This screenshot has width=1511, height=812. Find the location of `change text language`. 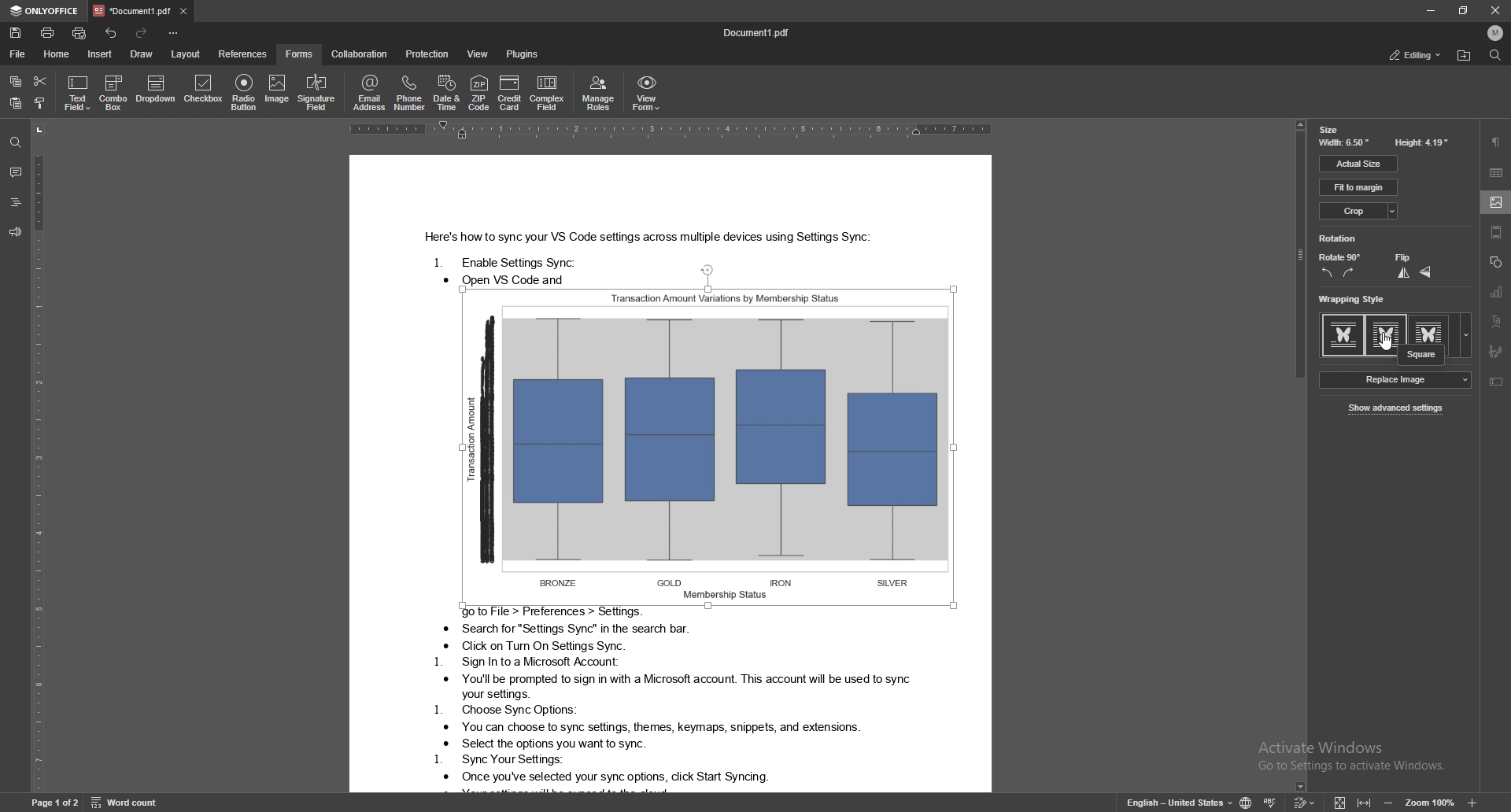

change text language is located at coordinates (1179, 802).